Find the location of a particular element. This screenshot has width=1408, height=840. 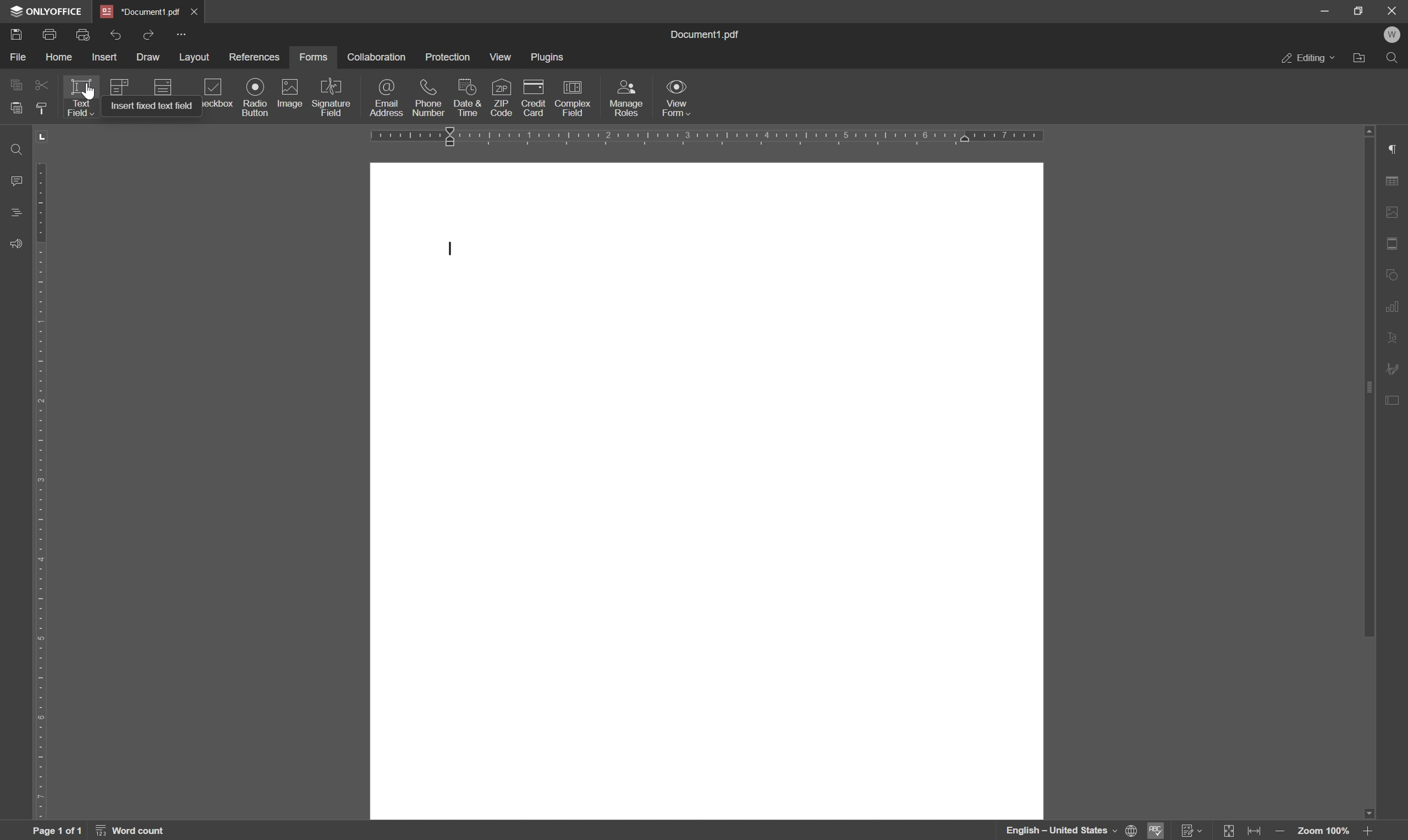

view form is located at coordinates (678, 100).